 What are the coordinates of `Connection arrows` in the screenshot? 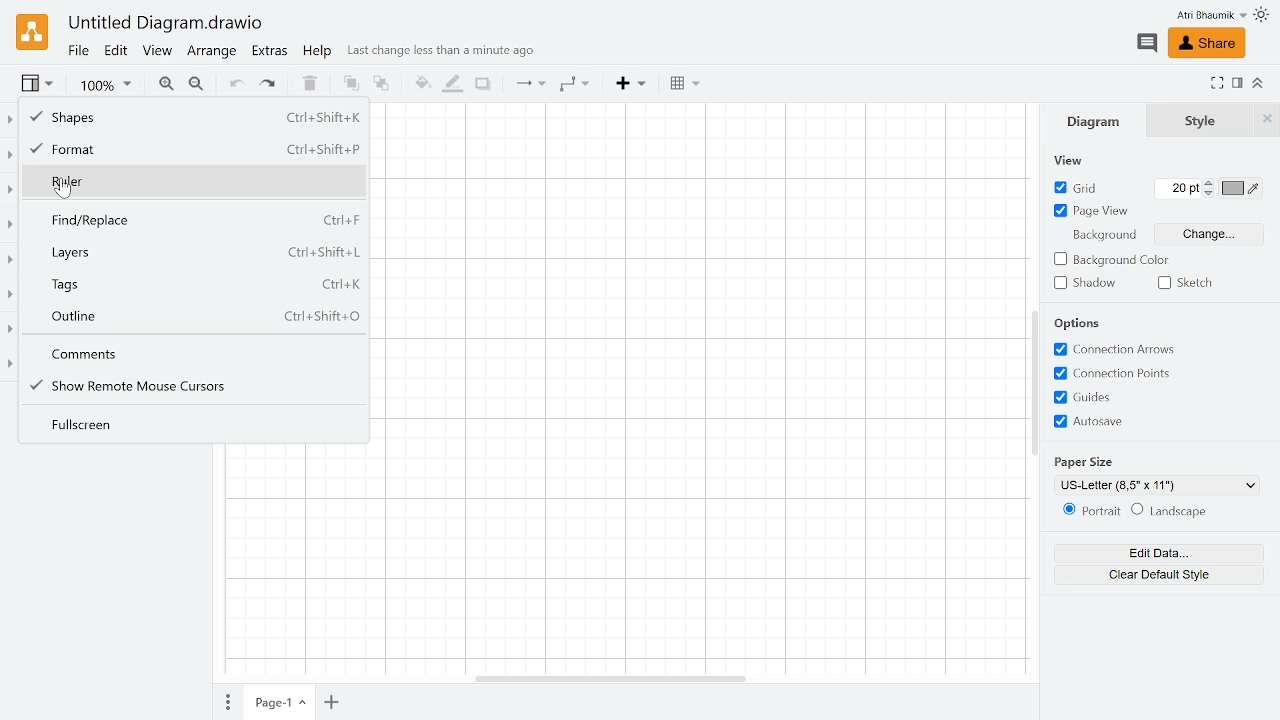 It's located at (1117, 347).